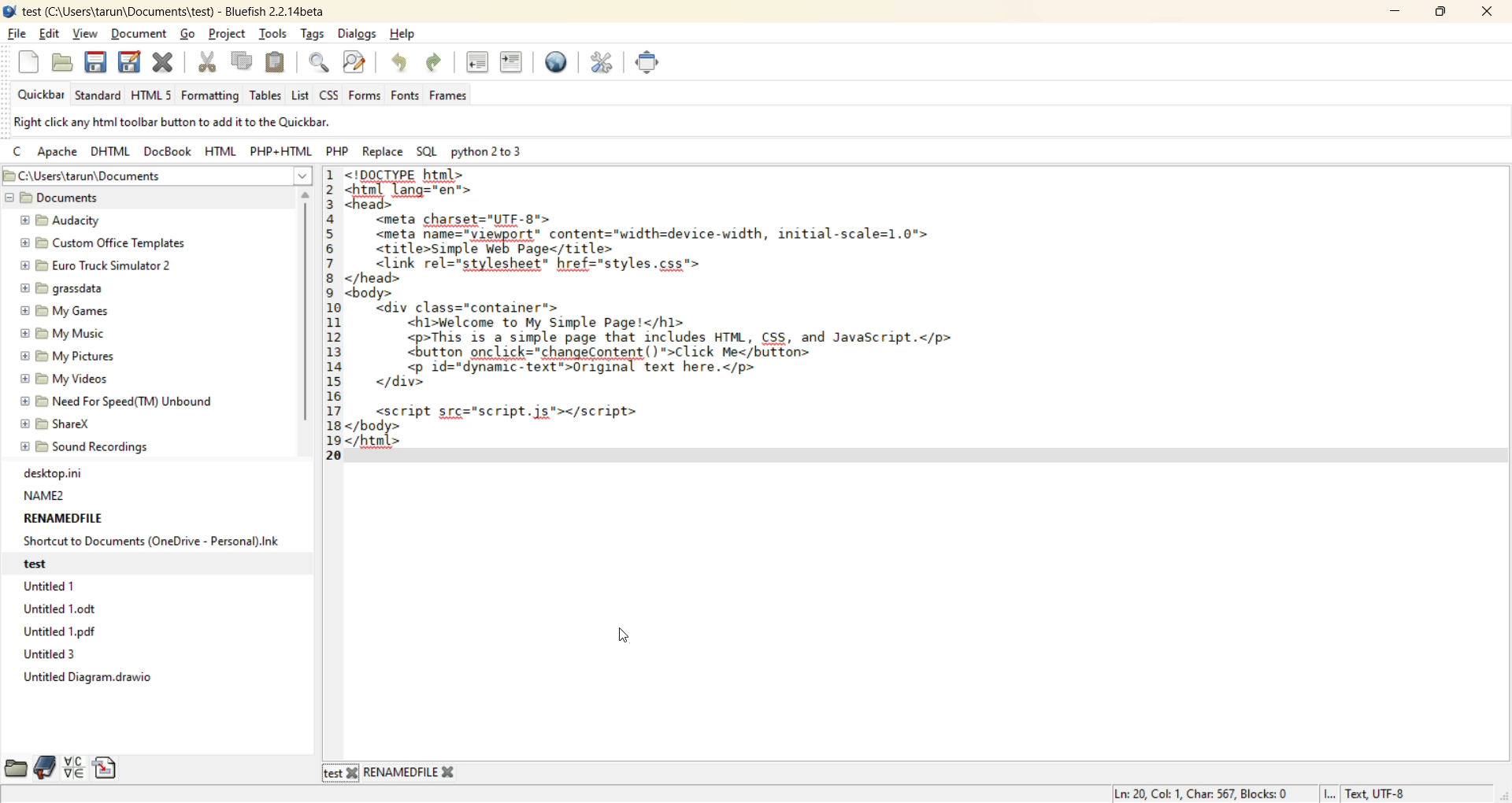  Describe the element at coordinates (494, 154) in the screenshot. I see `python 2 to 3` at that location.